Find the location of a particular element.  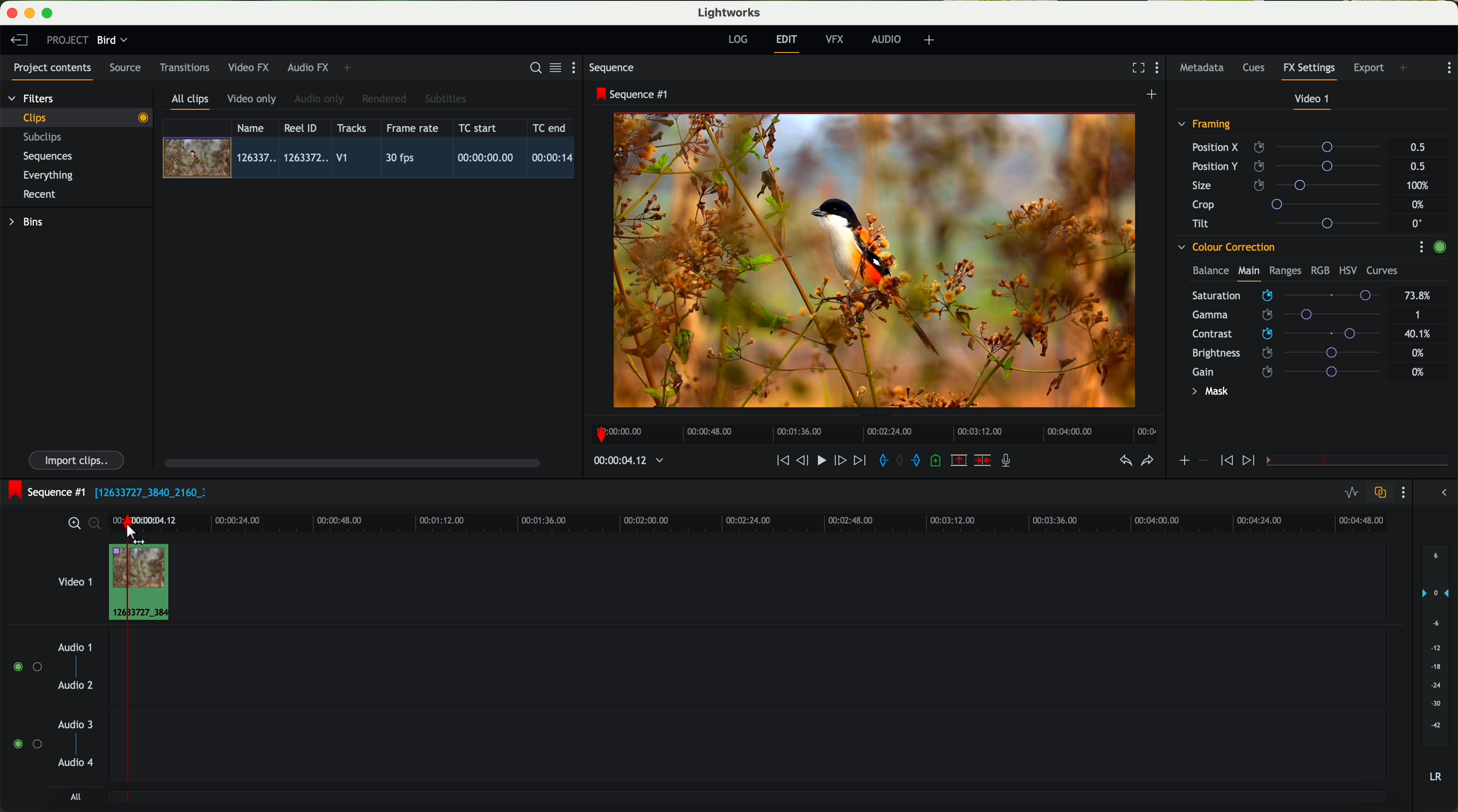

drag video to video track 1 is located at coordinates (144, 583).